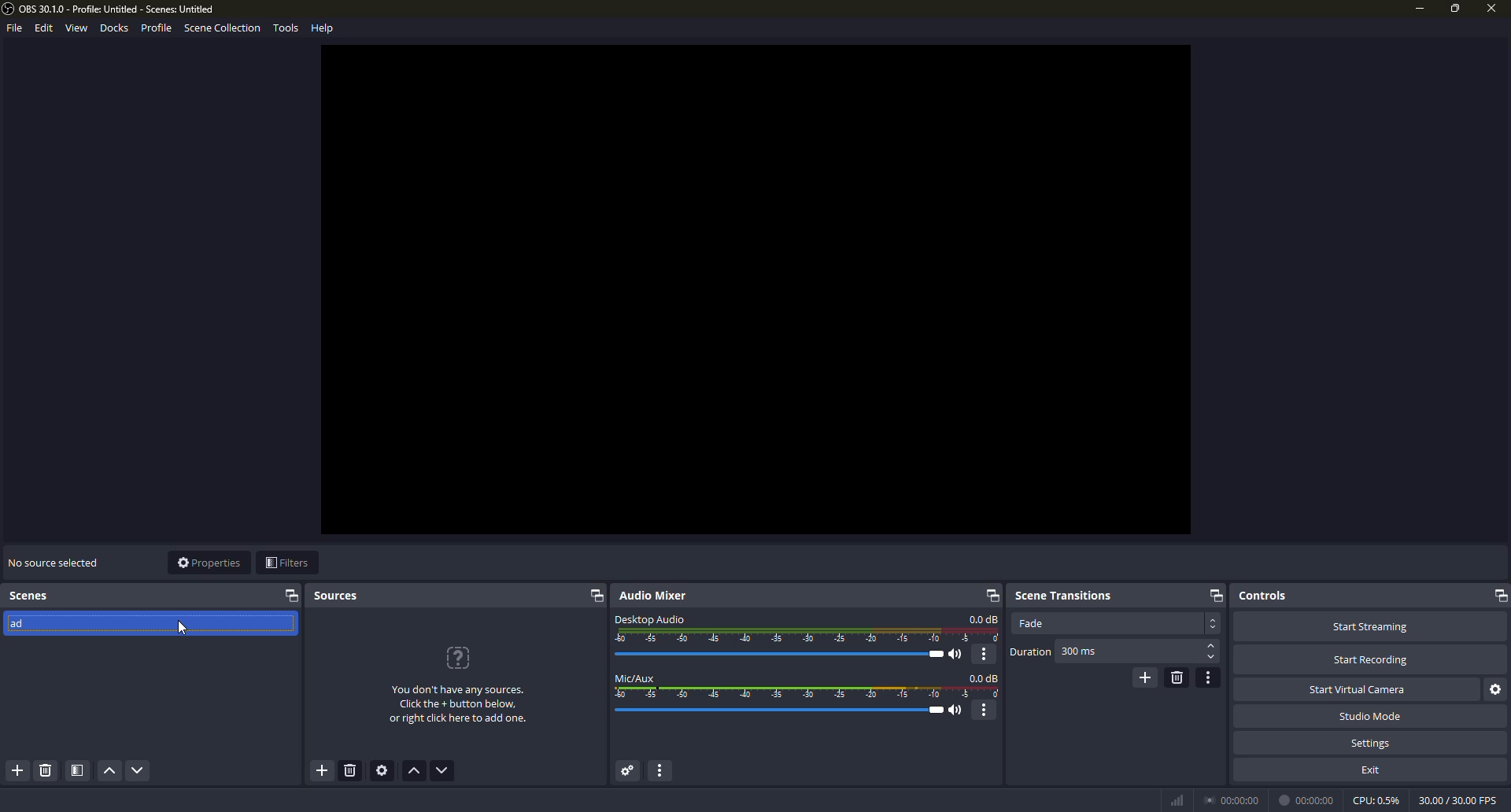  Describe the element at coordinates (1211, 659) in the screenshot. I see `select down` at that location.